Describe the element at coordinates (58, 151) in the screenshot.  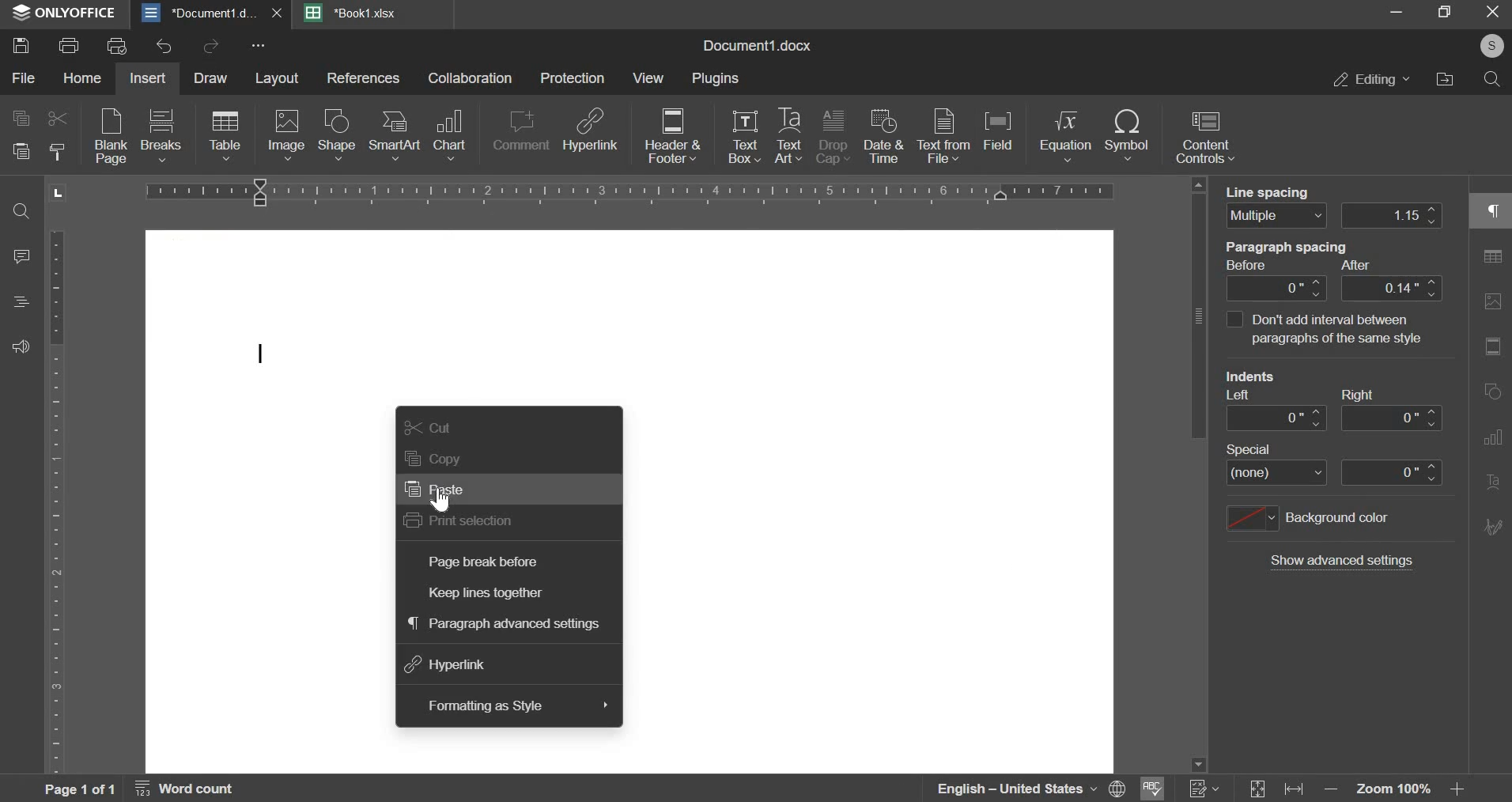
I see `copy style` at that location.